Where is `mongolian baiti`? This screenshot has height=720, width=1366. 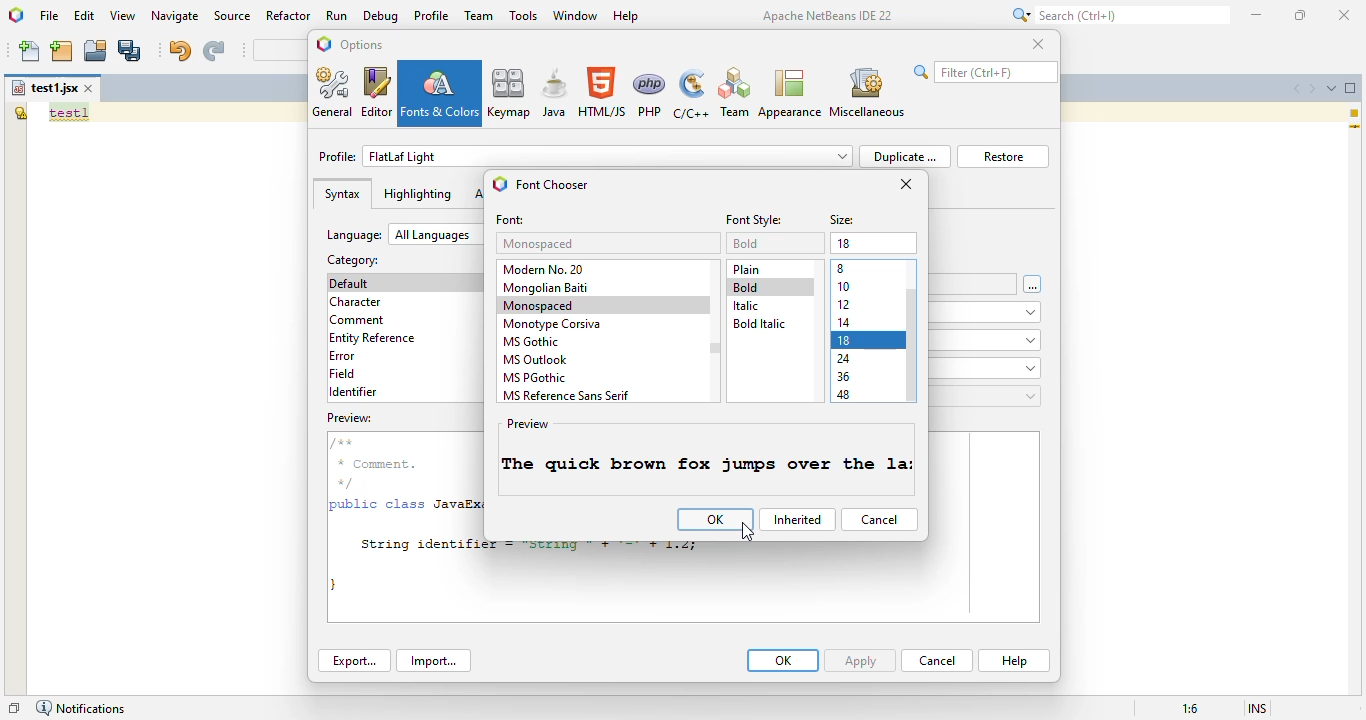 mongolian baiti is located at coordinates (546, 288).